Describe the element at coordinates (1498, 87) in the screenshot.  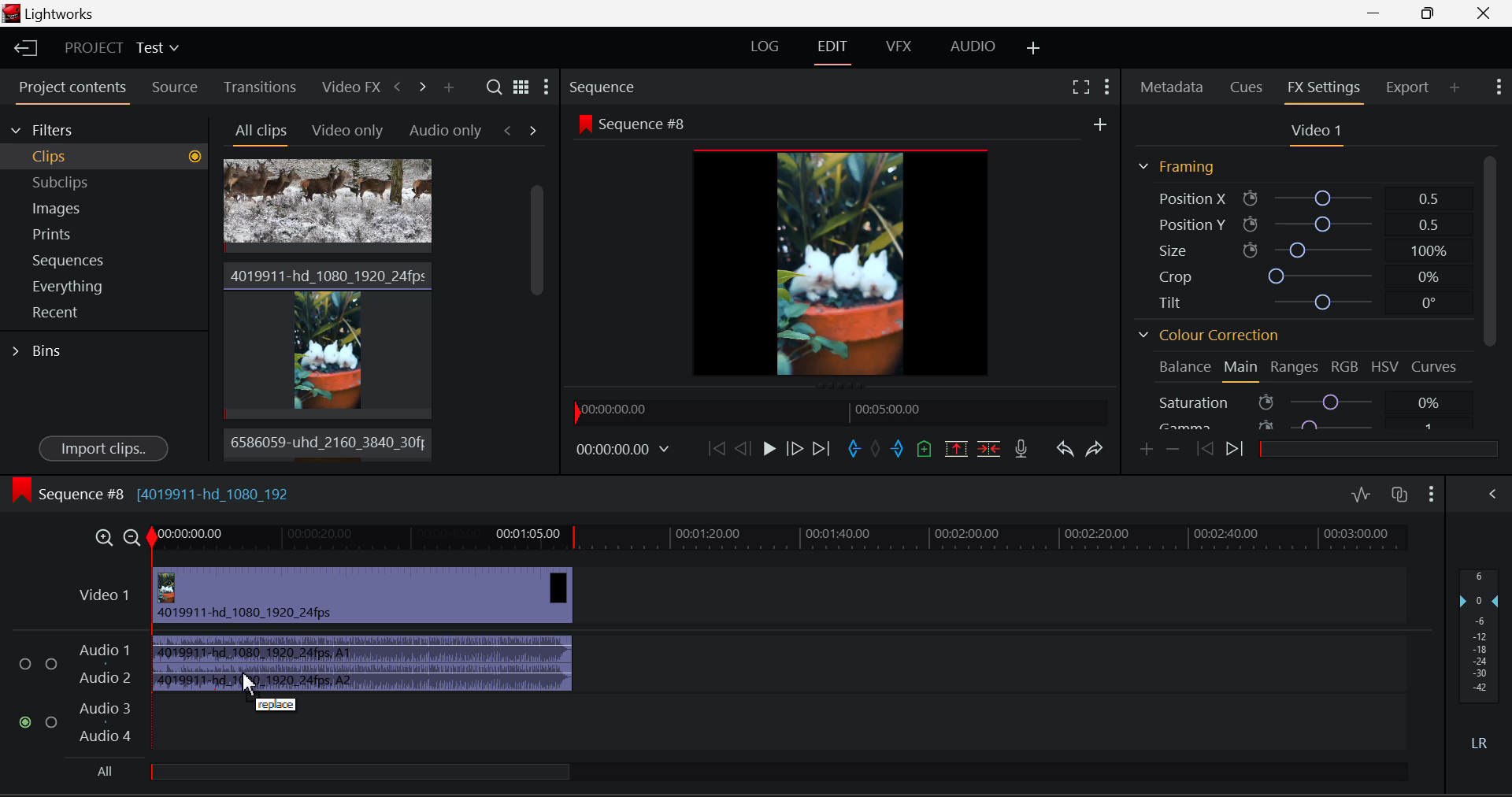
I see `Show Settings` at that location.